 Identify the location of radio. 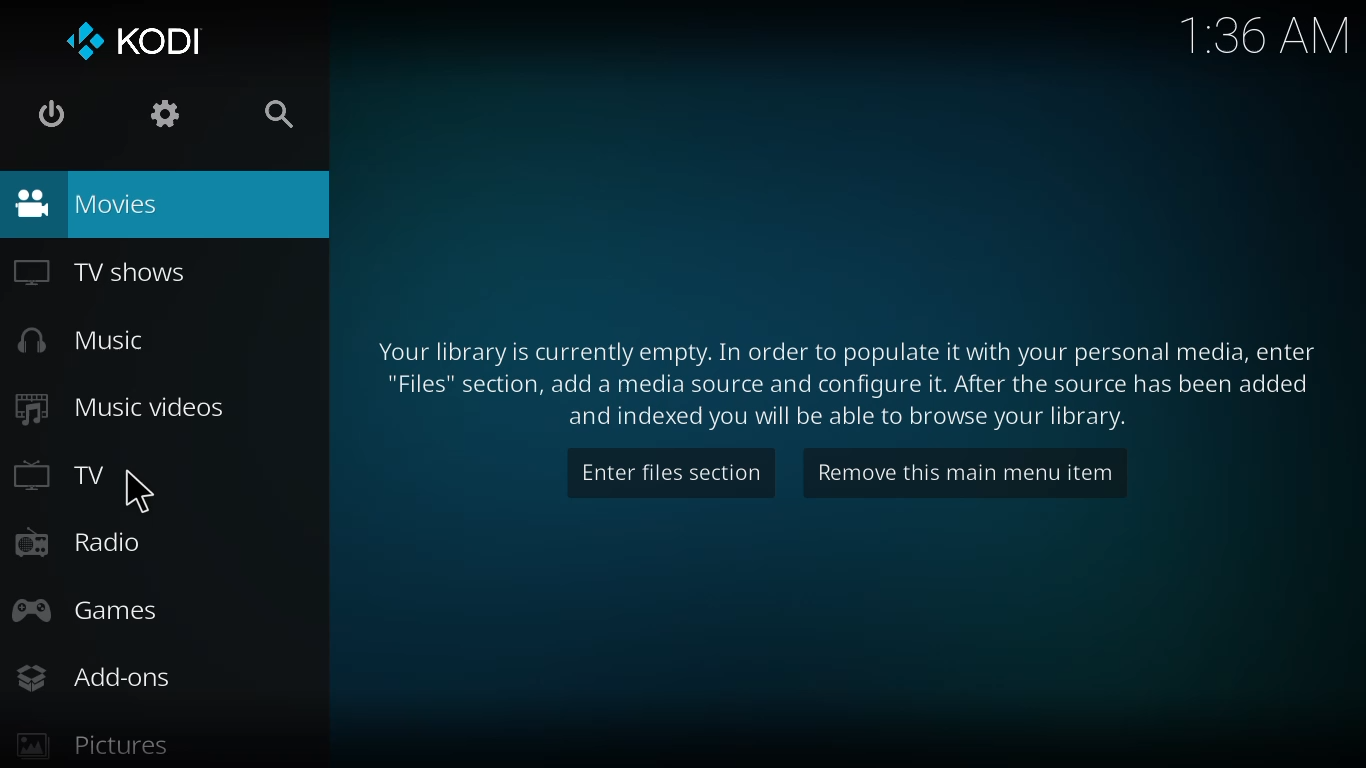
(80, 539).